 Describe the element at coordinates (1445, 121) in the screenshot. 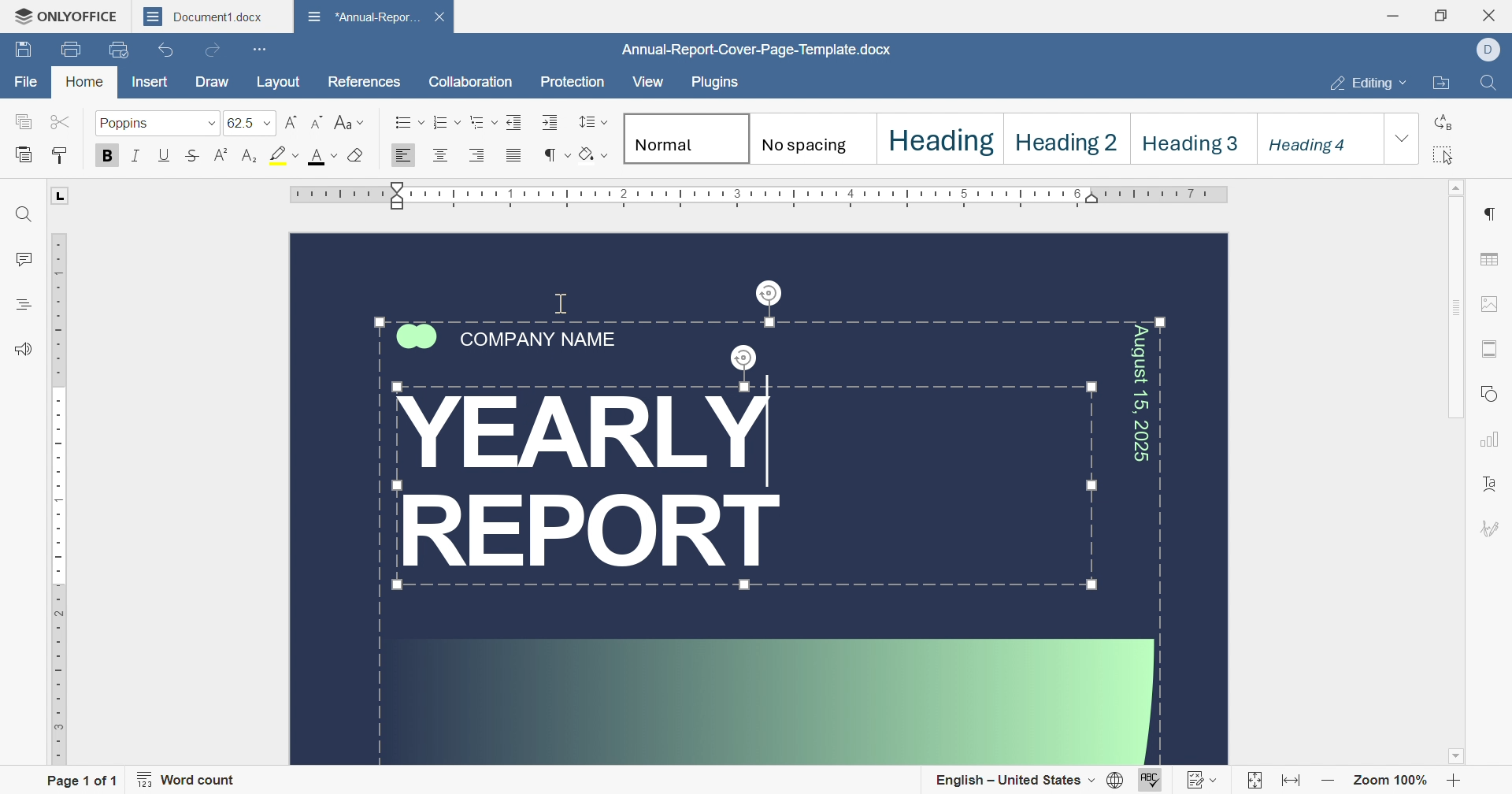

I see `replace` at that location.